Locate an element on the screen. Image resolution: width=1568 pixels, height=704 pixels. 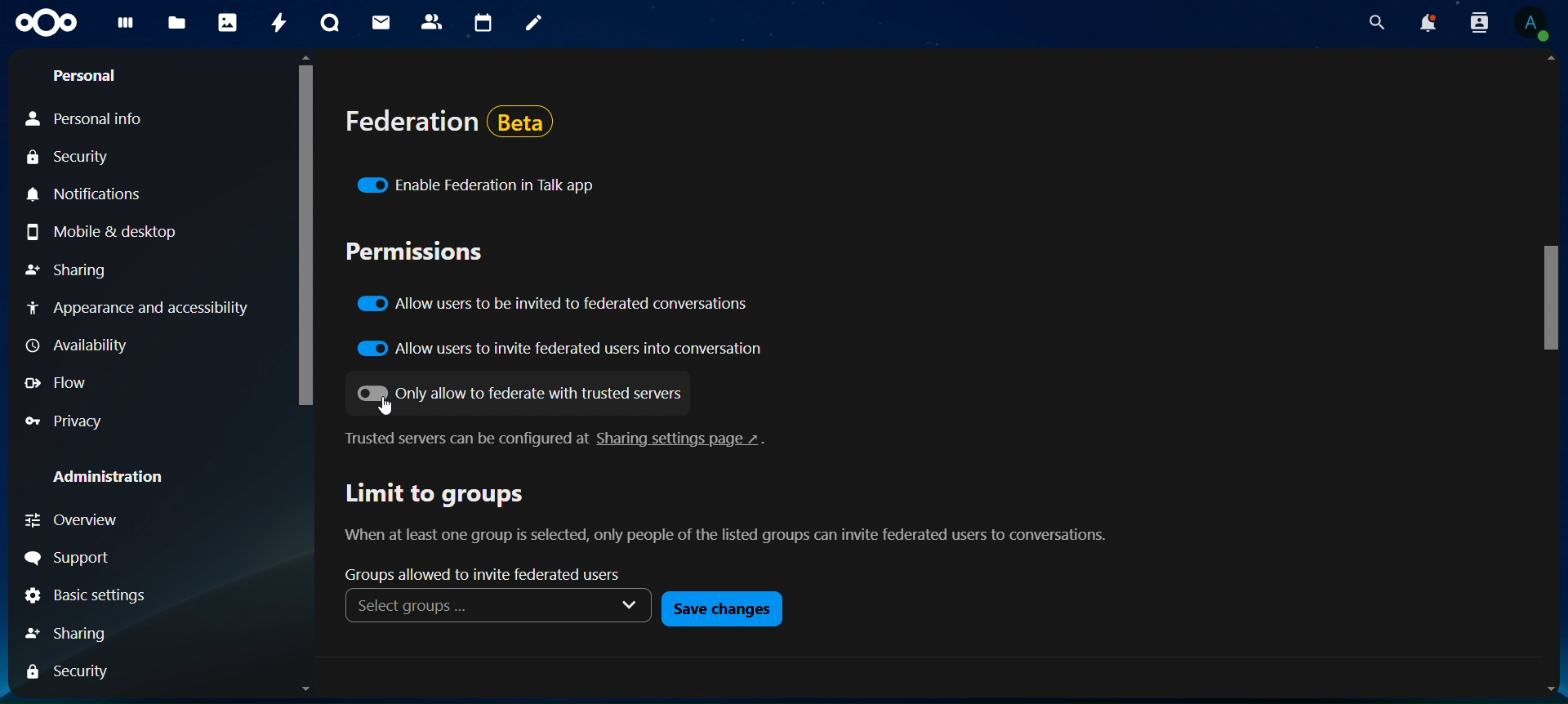
icon is located at coordinates (45, 23).